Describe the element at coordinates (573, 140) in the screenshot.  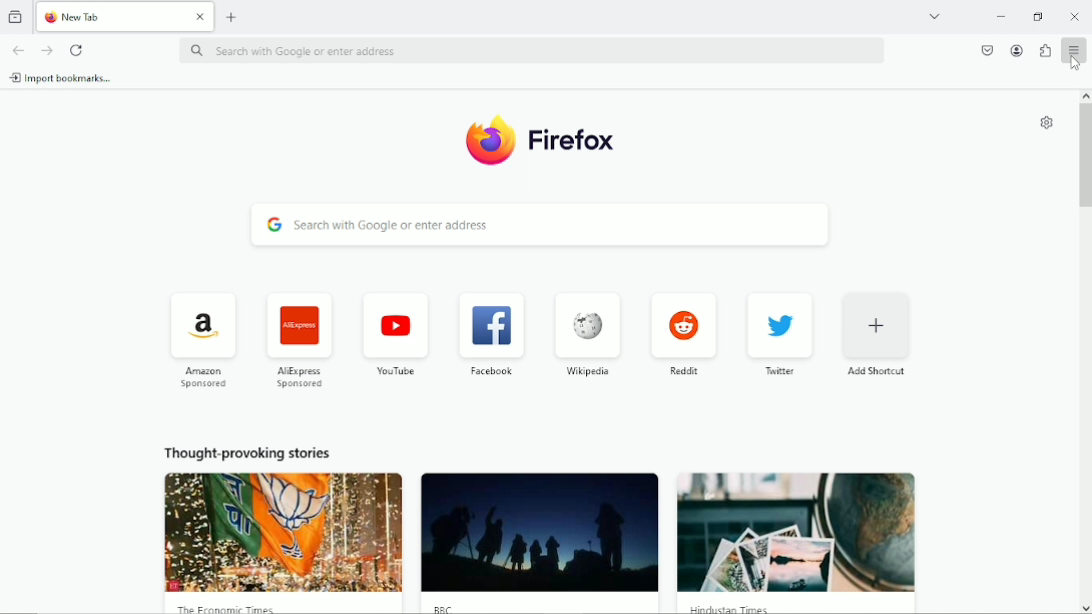
I see `Firefox` at that location.